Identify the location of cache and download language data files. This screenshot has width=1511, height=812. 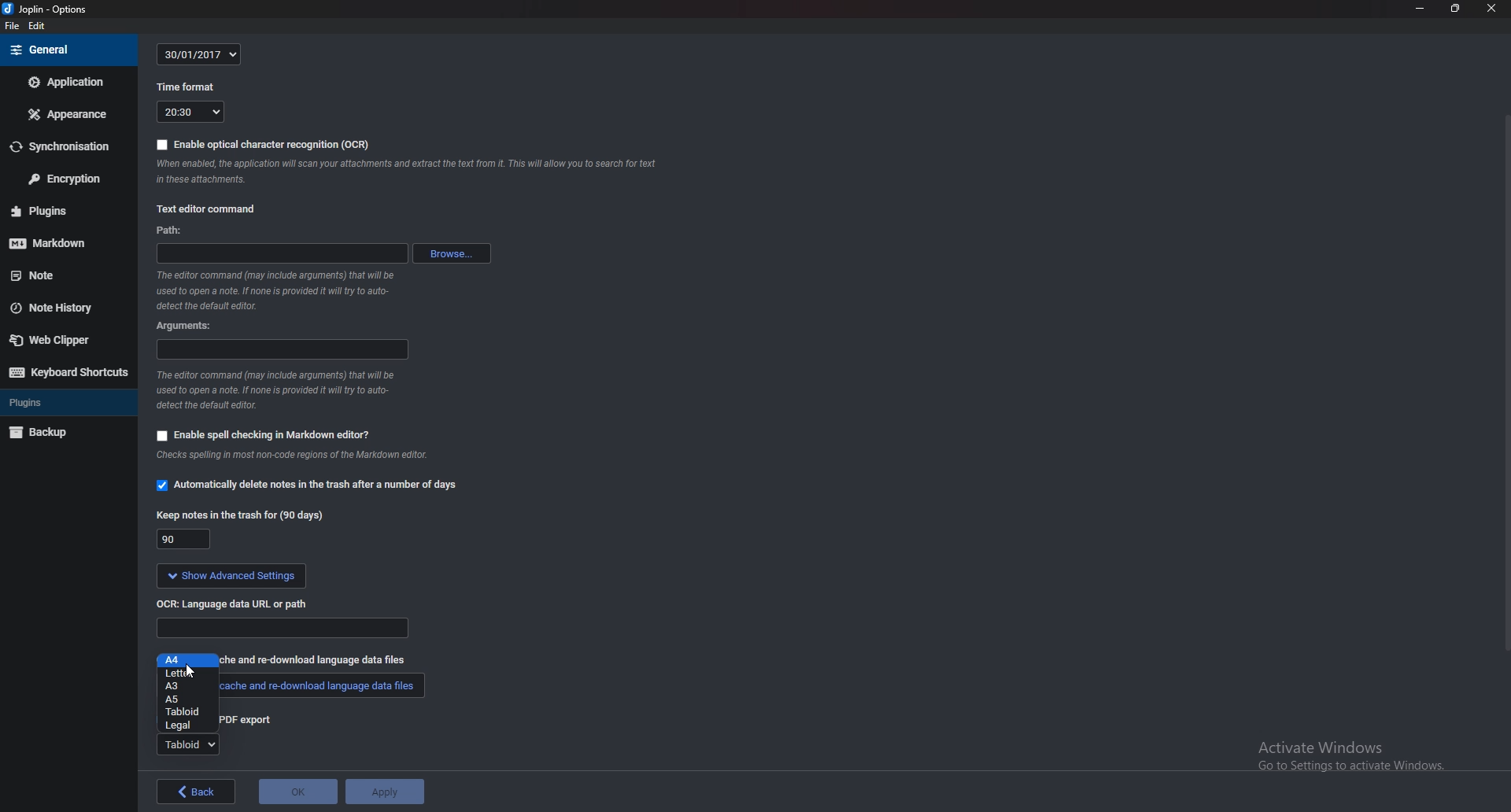
(336, 687).